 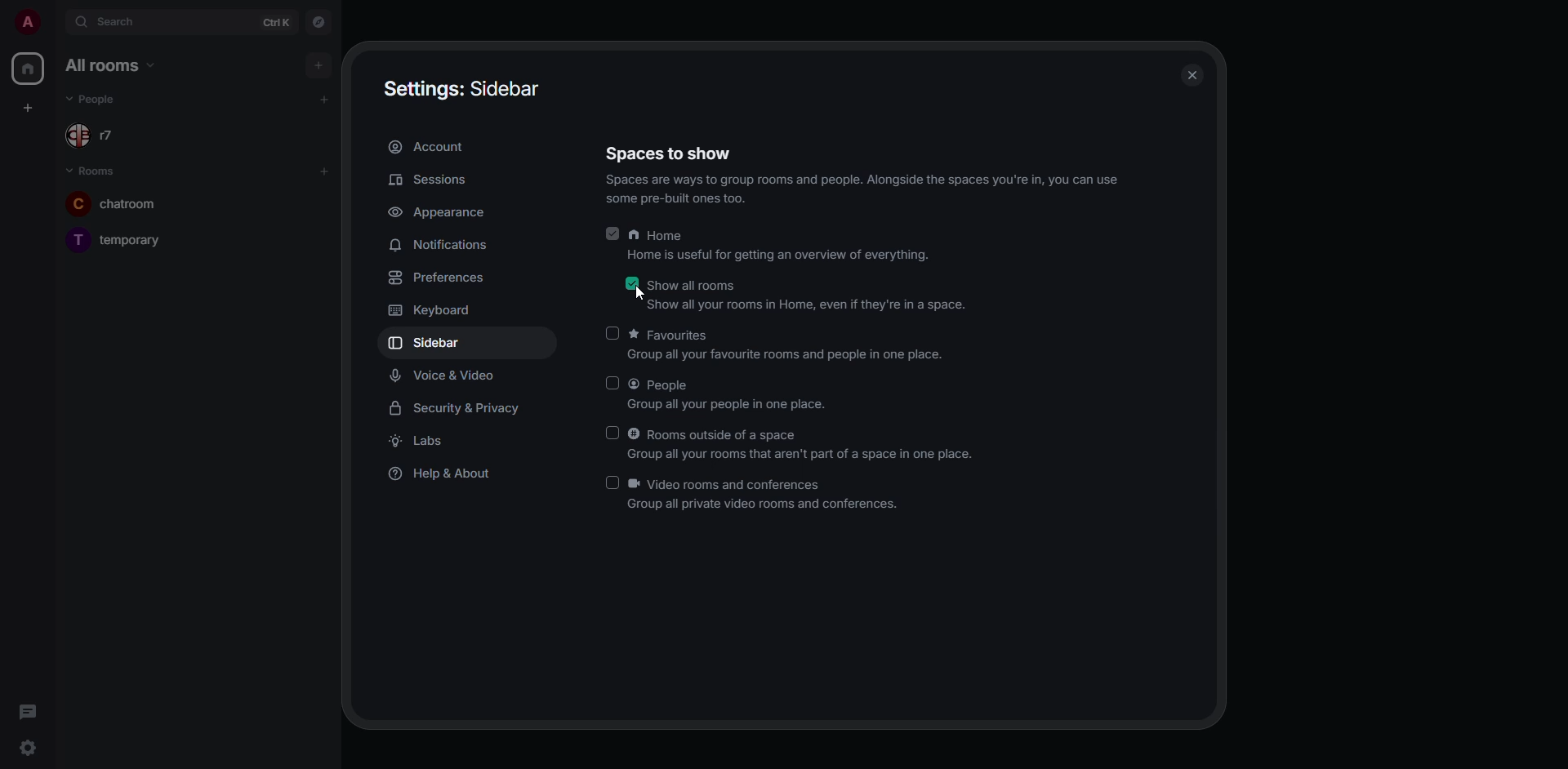 I want to click on quick settings, so click(x=26, y=748).